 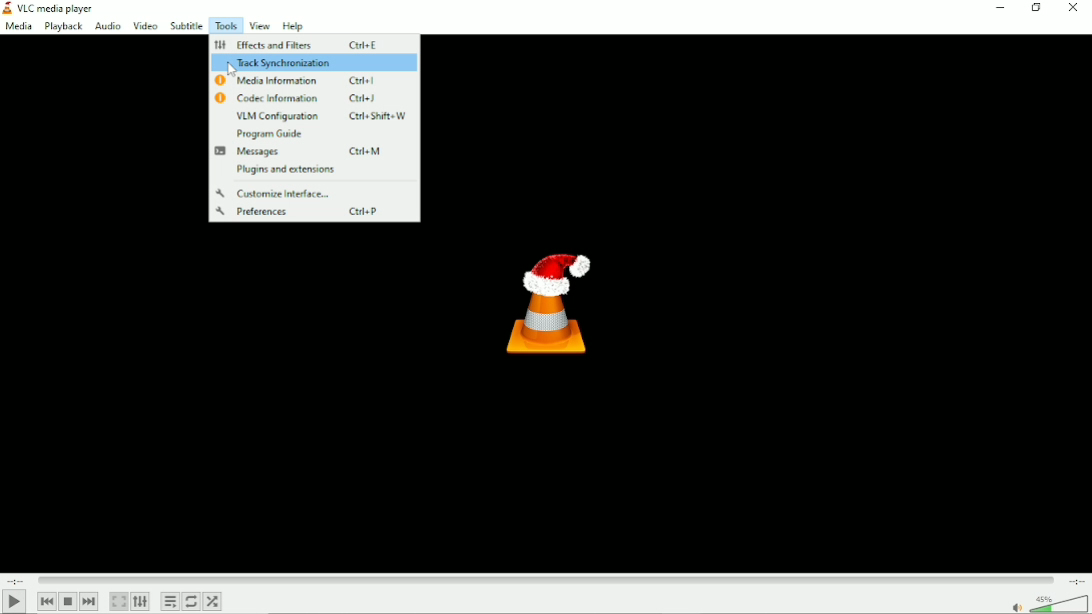 I want to click on audio, so click(x=106, y=26).